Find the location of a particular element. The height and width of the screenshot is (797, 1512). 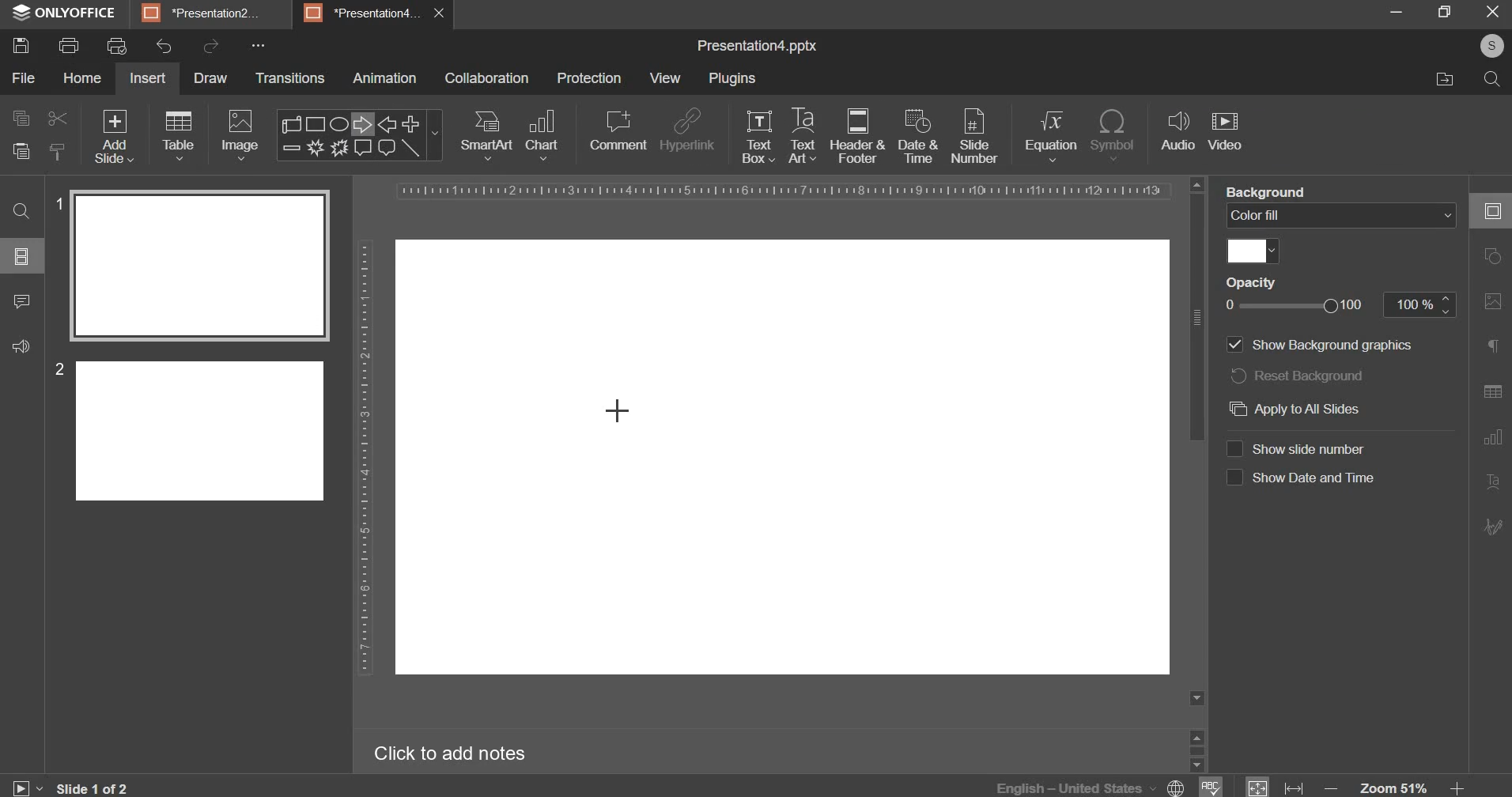

paste is located at coordinates (19, 151).